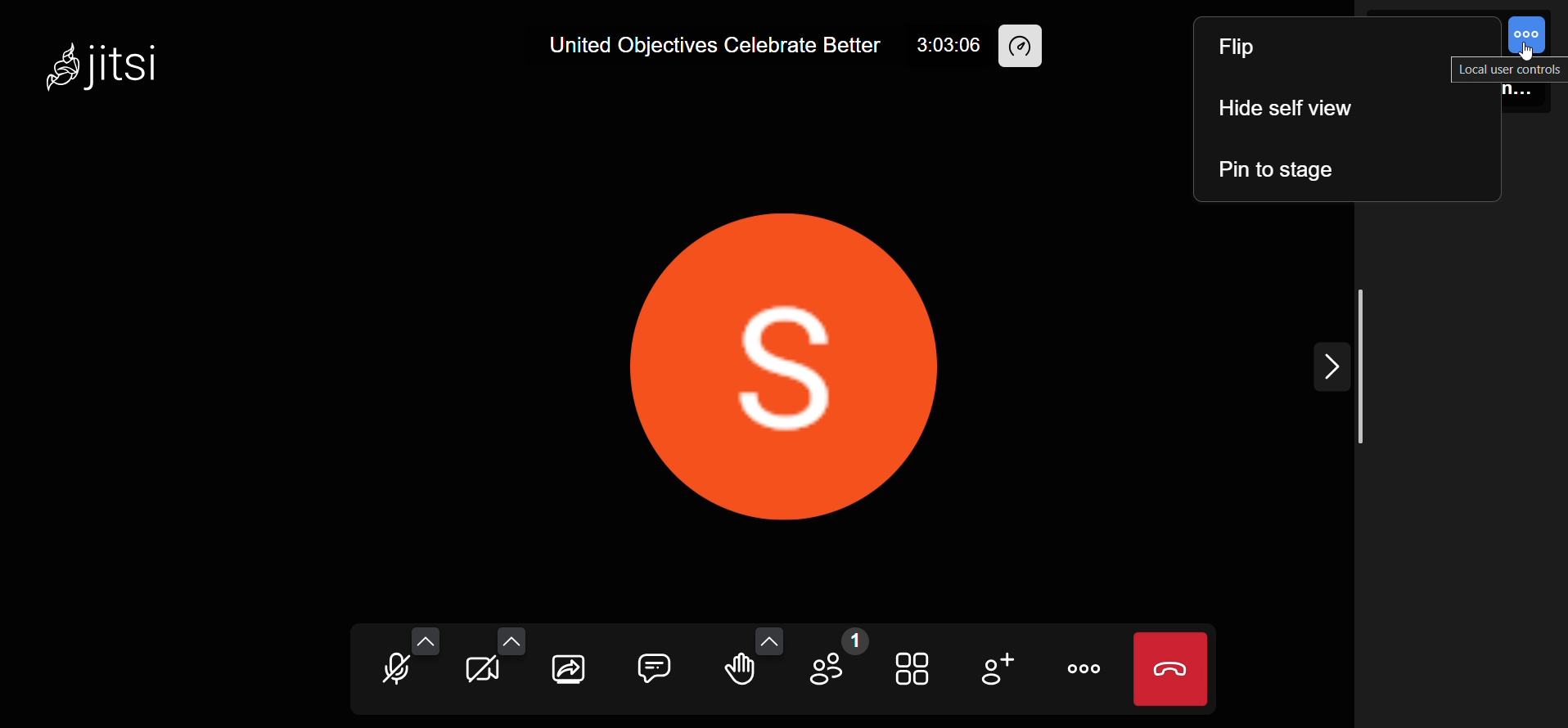  I want to click on display picture, so click(799, 362).